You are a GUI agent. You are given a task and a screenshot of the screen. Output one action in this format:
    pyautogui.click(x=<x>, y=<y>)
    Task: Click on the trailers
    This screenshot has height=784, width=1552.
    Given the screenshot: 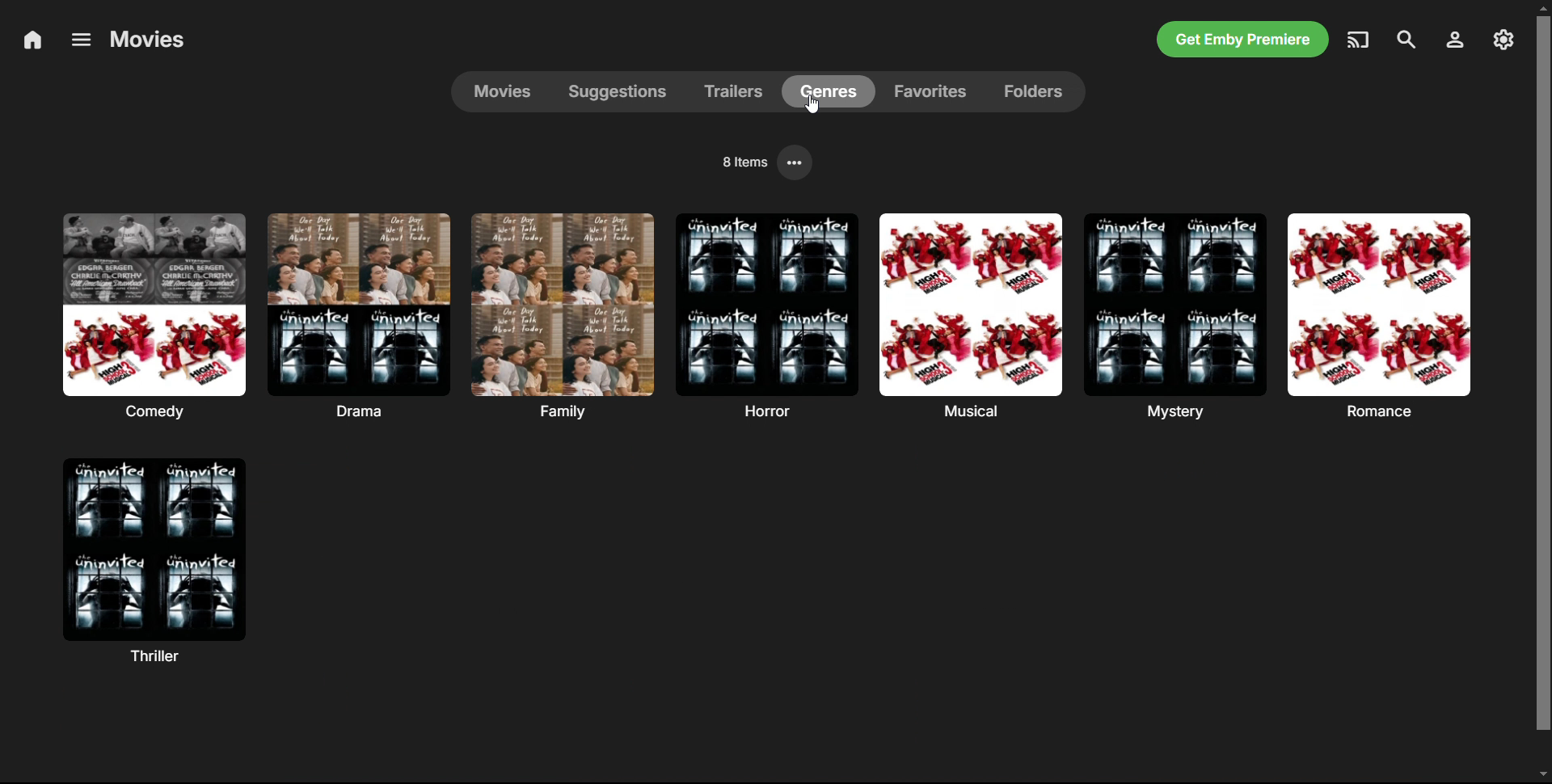 What is the action you would take?
    pyautogui.click(x=740, y=92)
    